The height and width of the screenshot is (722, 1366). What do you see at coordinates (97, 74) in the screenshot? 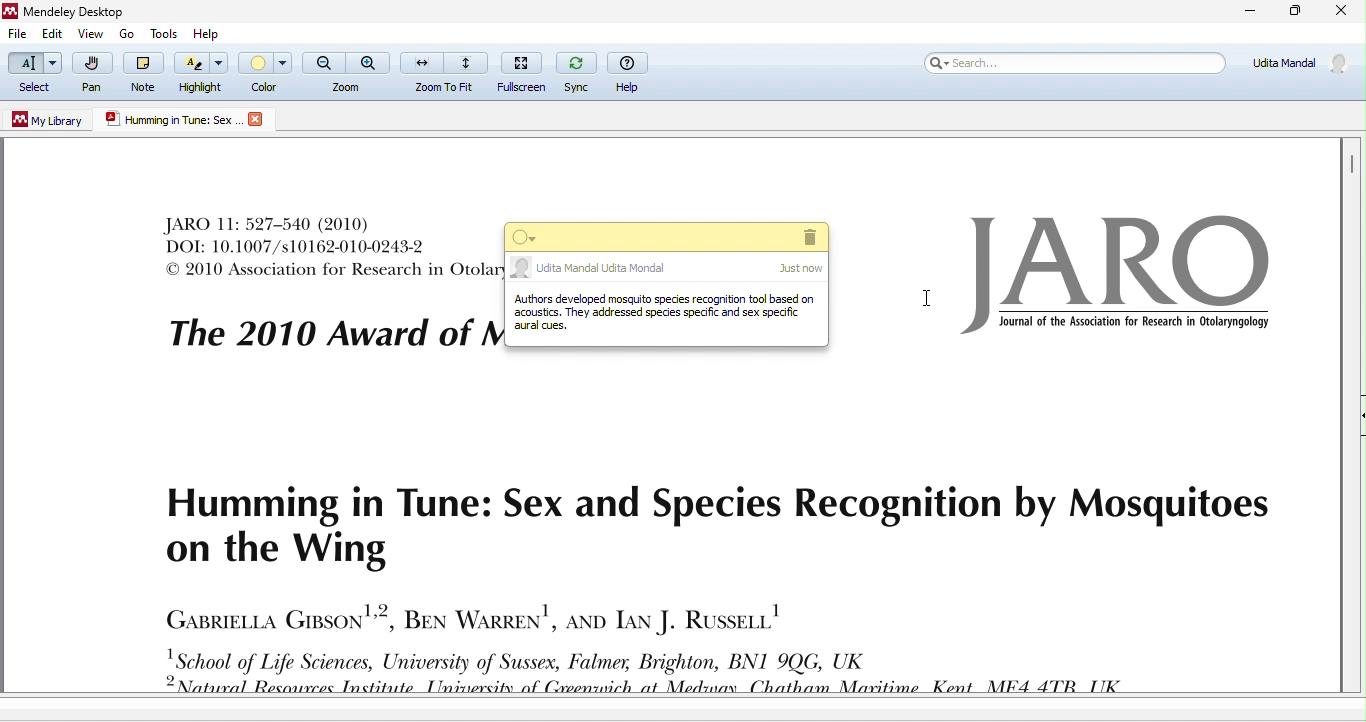
I see `pan` at bounding box center [97, 74].